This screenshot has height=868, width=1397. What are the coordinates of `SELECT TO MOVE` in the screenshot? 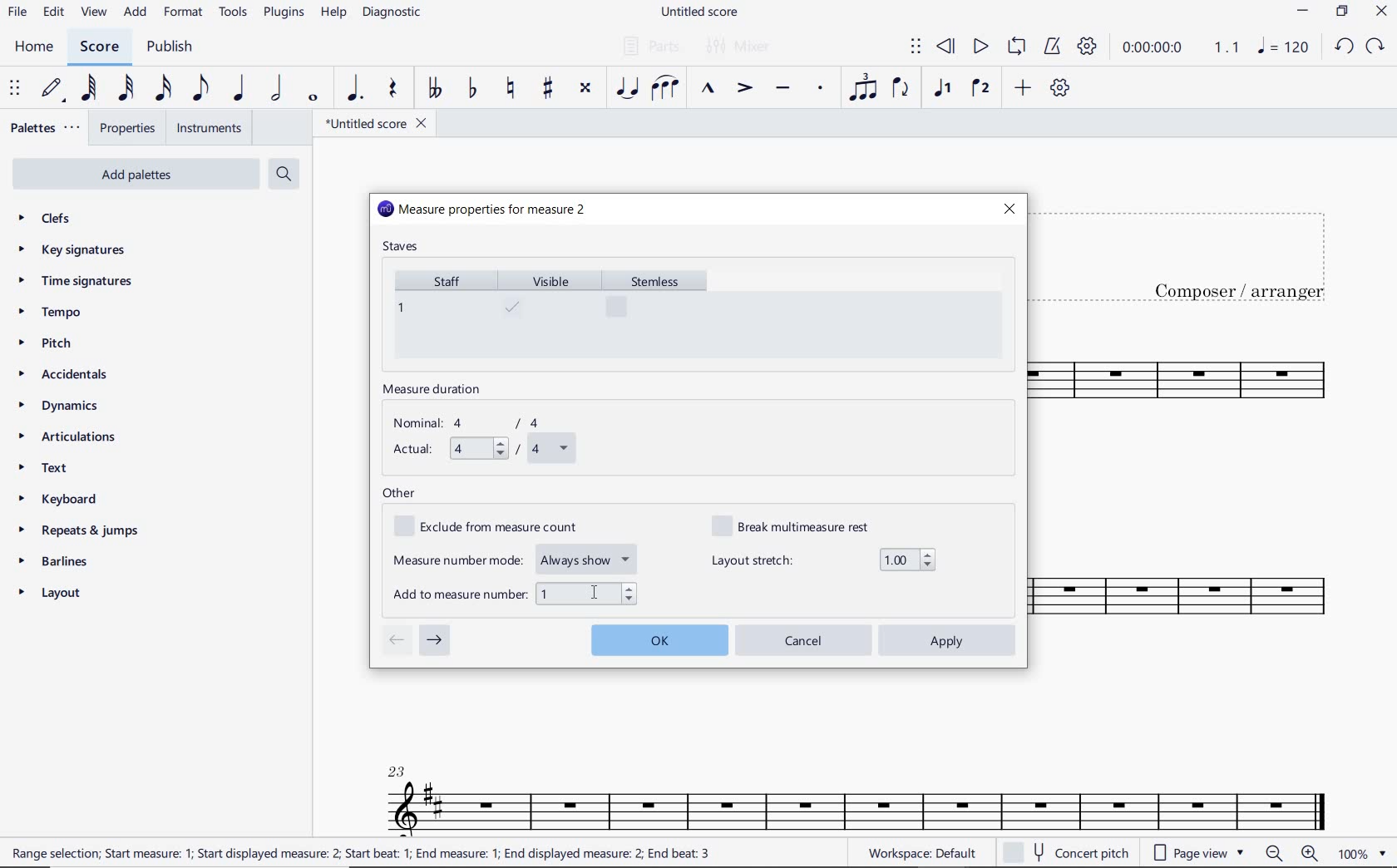 It's located at (916, 47).